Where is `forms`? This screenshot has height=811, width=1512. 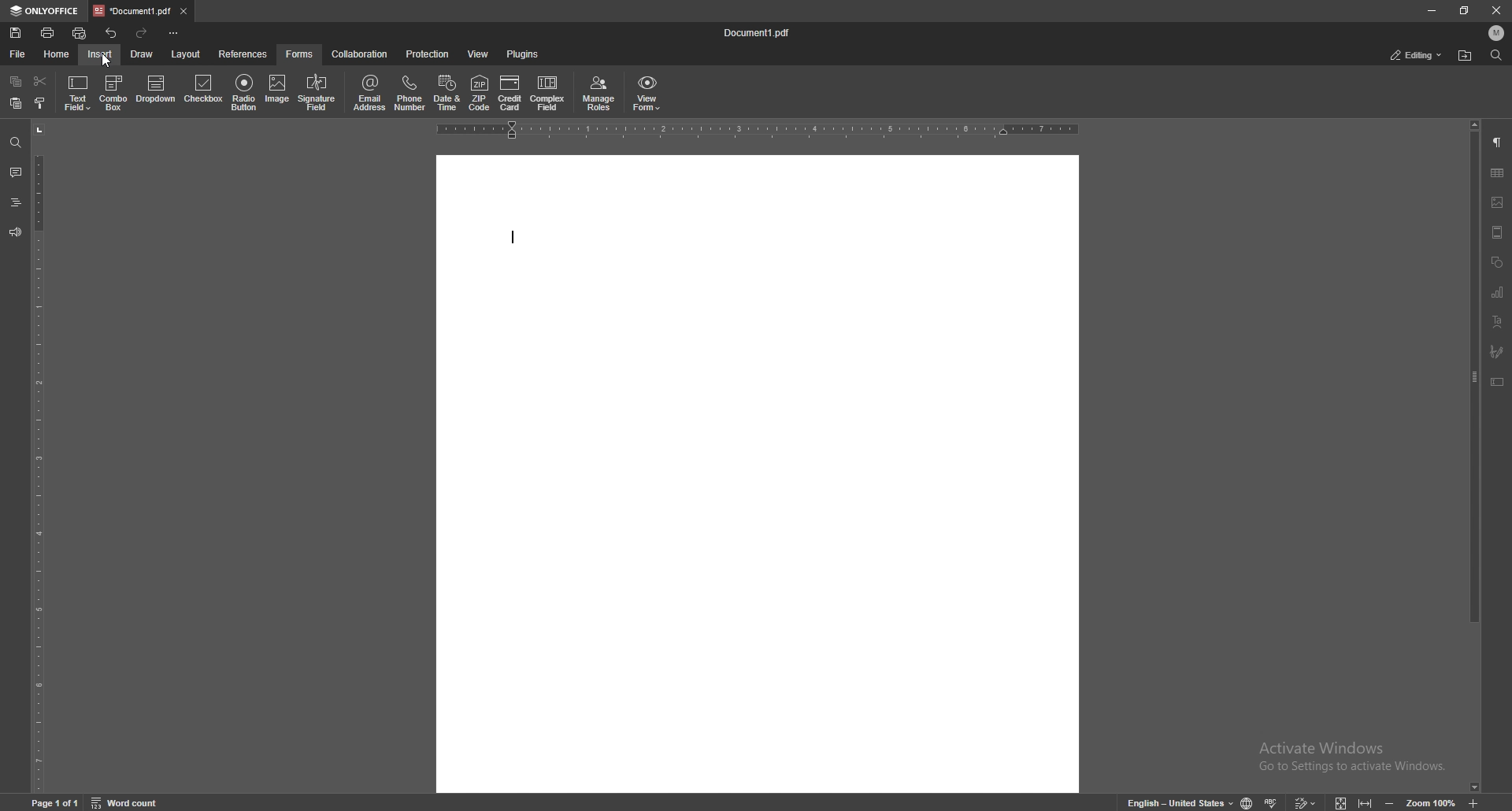
forms is located at coordinates (300, 54).